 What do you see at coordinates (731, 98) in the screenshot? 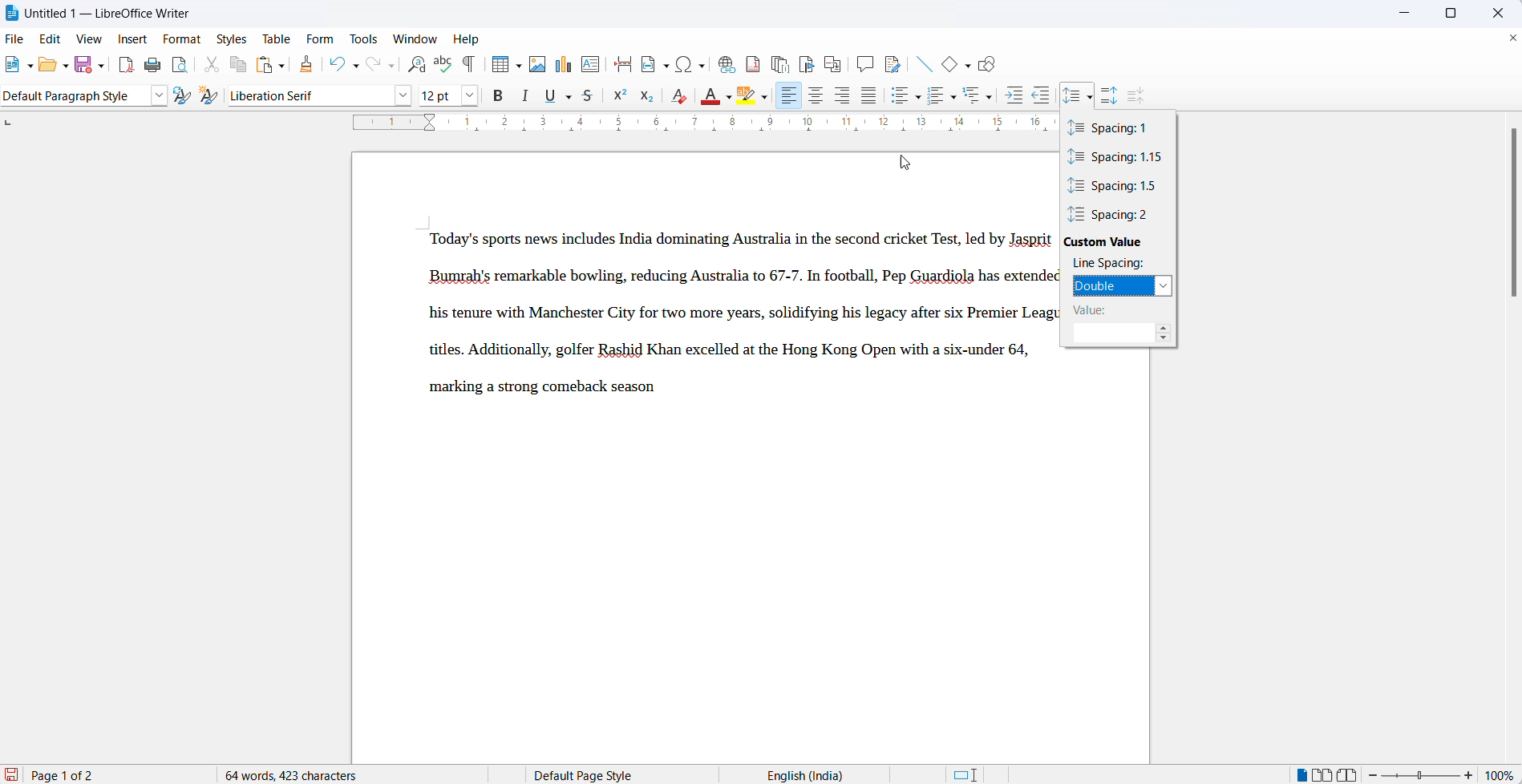
I see `fill color options` at bounding box center [731, 98].